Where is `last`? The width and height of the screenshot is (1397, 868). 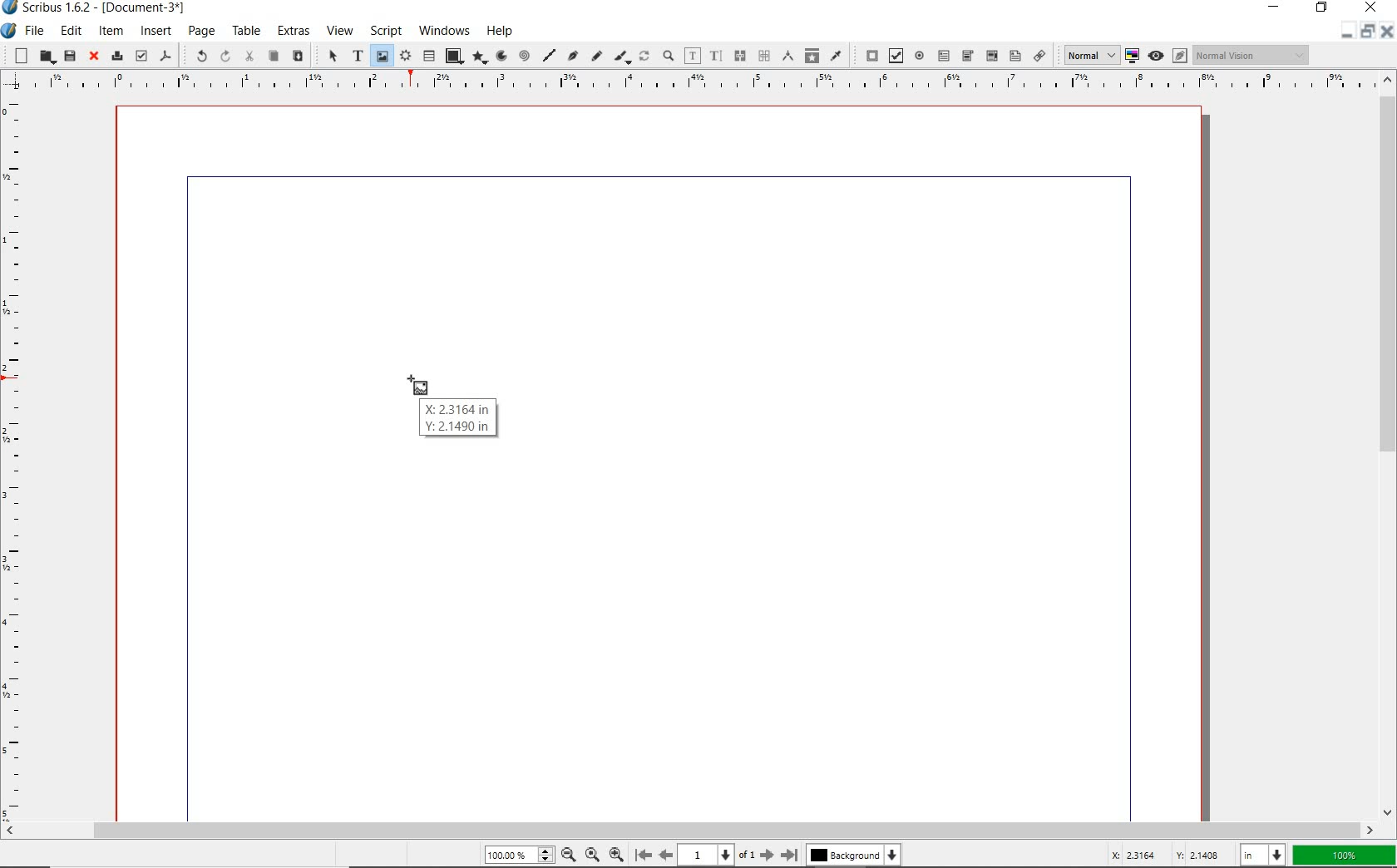 last is located at coordinates (790, 856).